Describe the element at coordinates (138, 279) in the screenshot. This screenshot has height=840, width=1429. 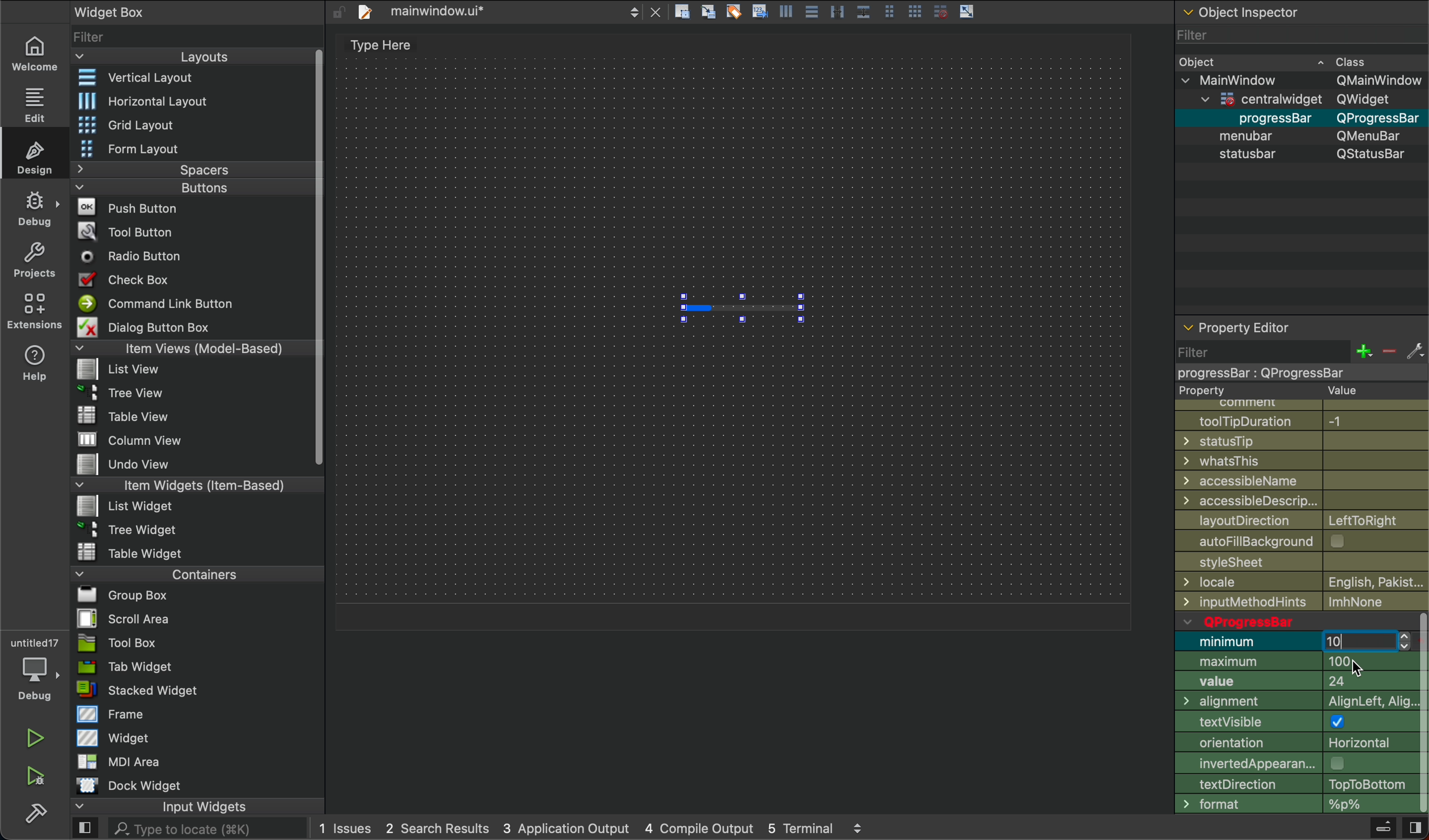
I see `Check Box` at that location.